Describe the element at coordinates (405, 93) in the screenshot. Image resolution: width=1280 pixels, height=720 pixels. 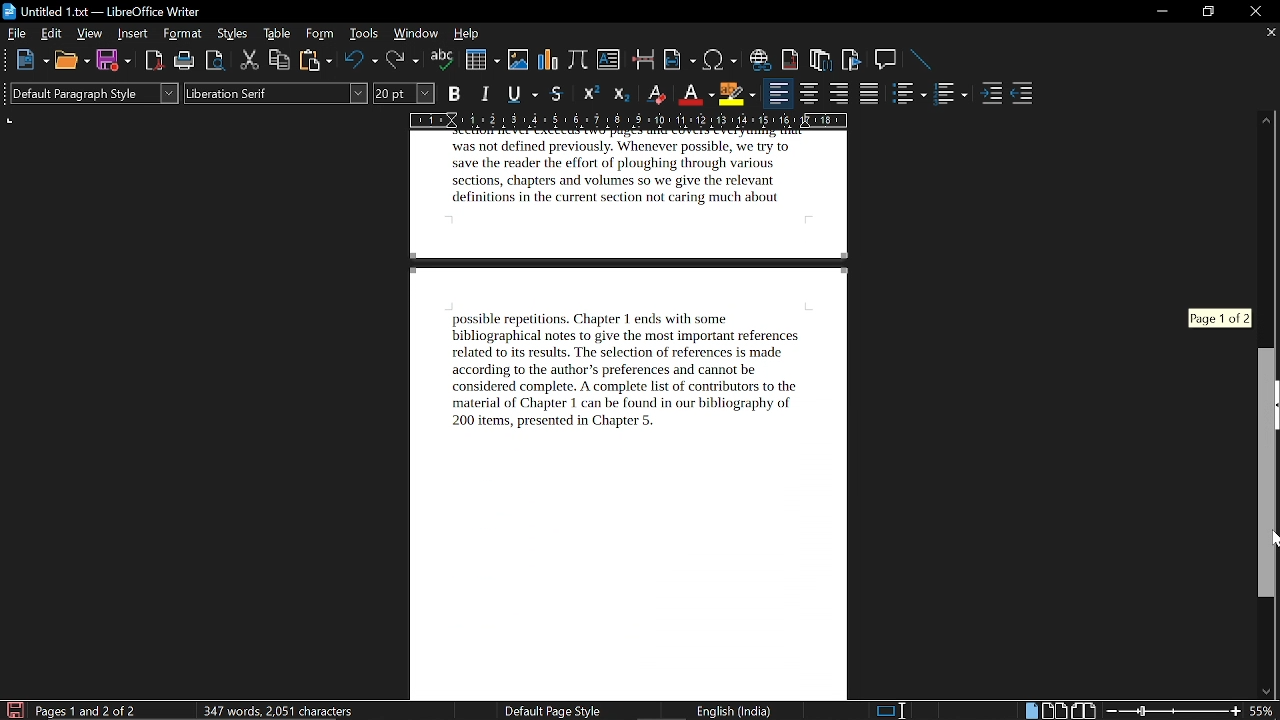
I see `font size` at that location.